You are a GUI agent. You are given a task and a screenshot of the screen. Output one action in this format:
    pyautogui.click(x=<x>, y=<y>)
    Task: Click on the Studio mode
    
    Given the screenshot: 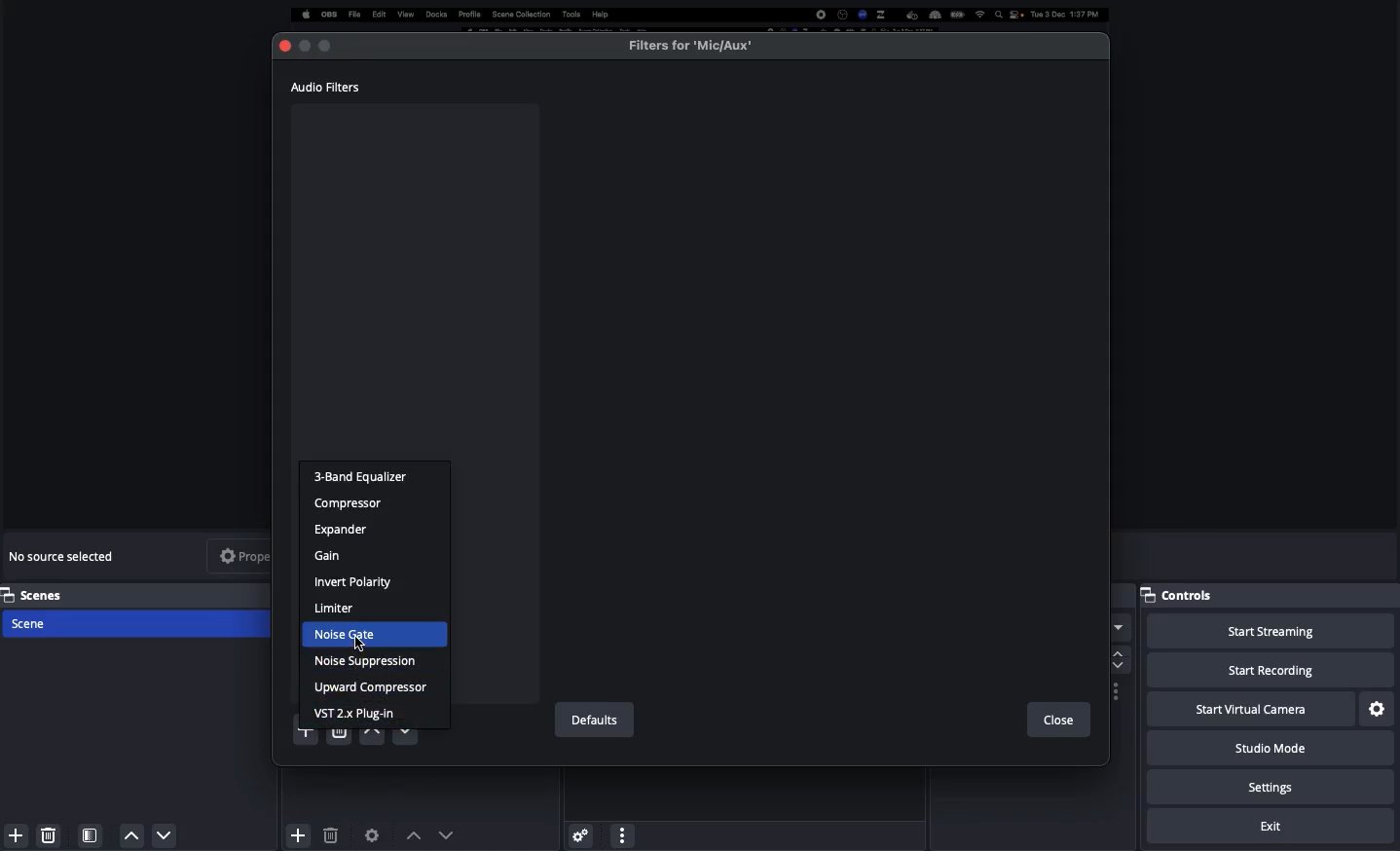 What is the action you would take?
    pyautogui.click(x=1268, y=752)
    